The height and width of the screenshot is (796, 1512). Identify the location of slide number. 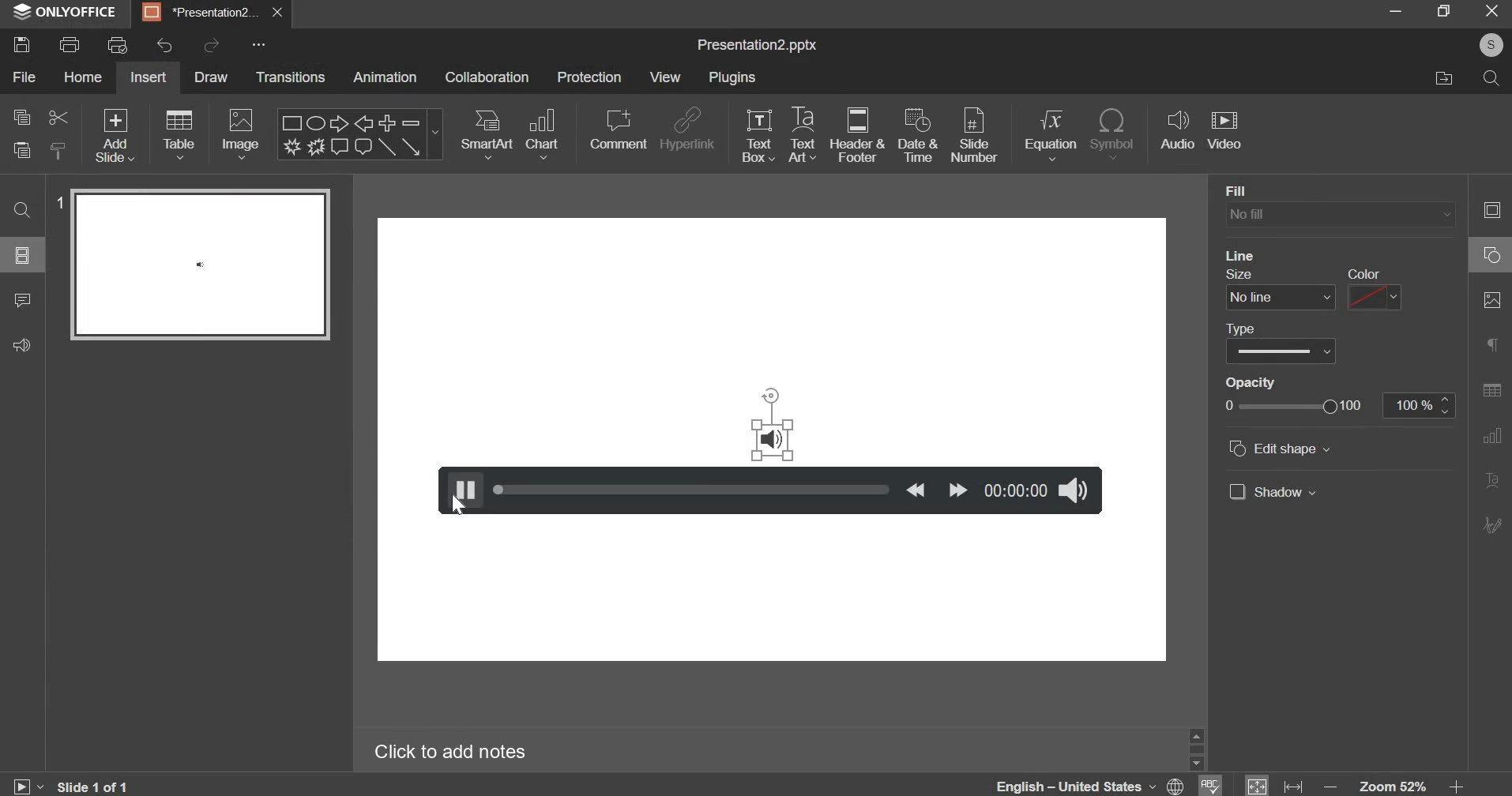
(976, 133).